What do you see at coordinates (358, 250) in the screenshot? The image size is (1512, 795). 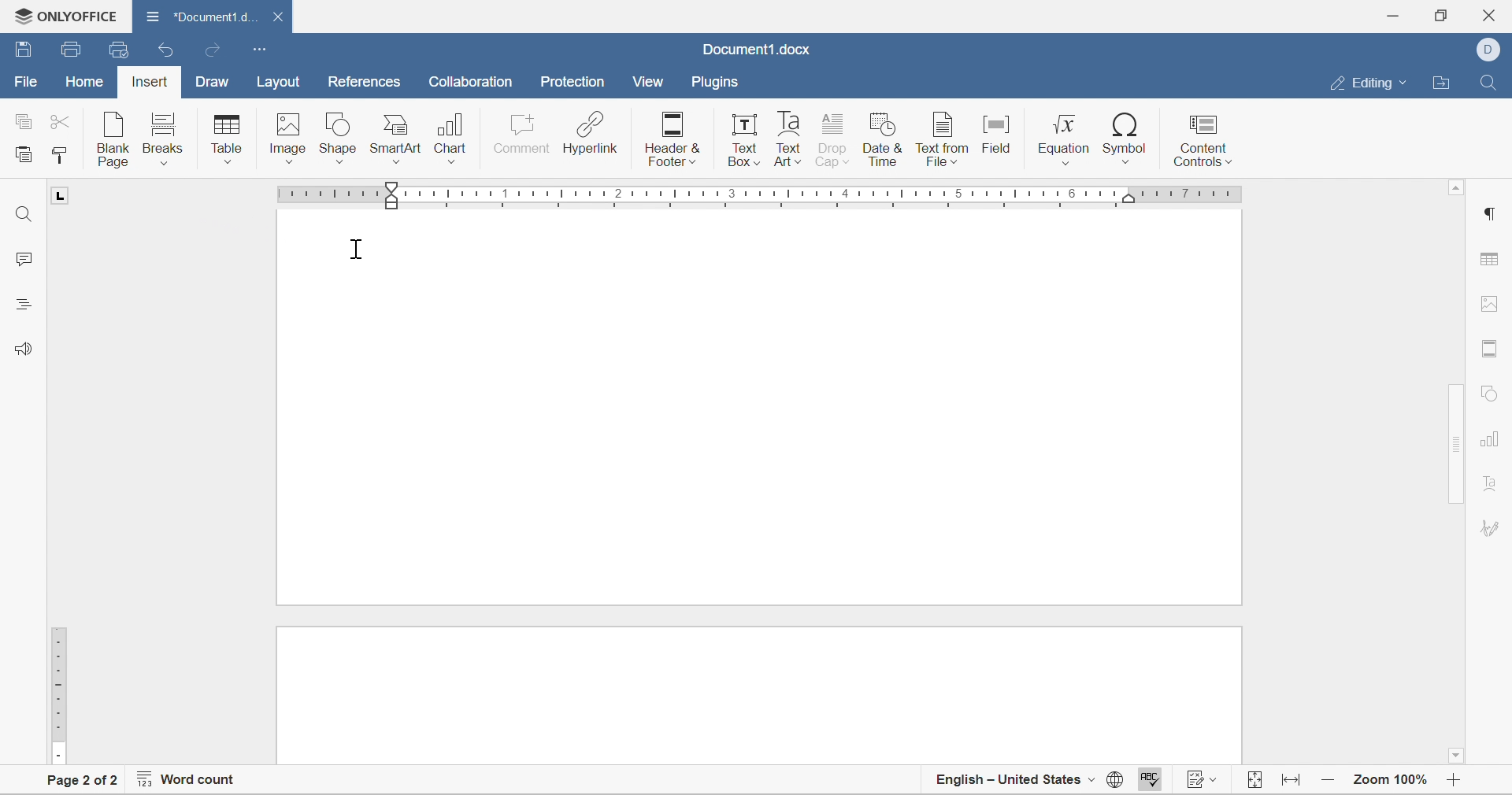 I see `Typing cursor` at bounding box center [358, 250].